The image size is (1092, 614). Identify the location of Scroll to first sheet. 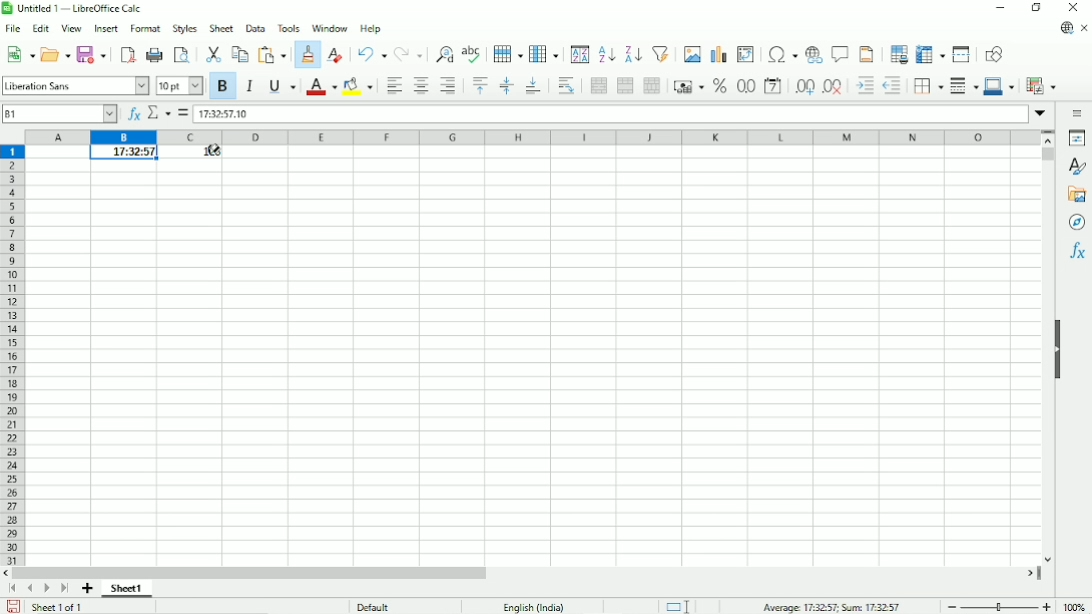
(15, 590).